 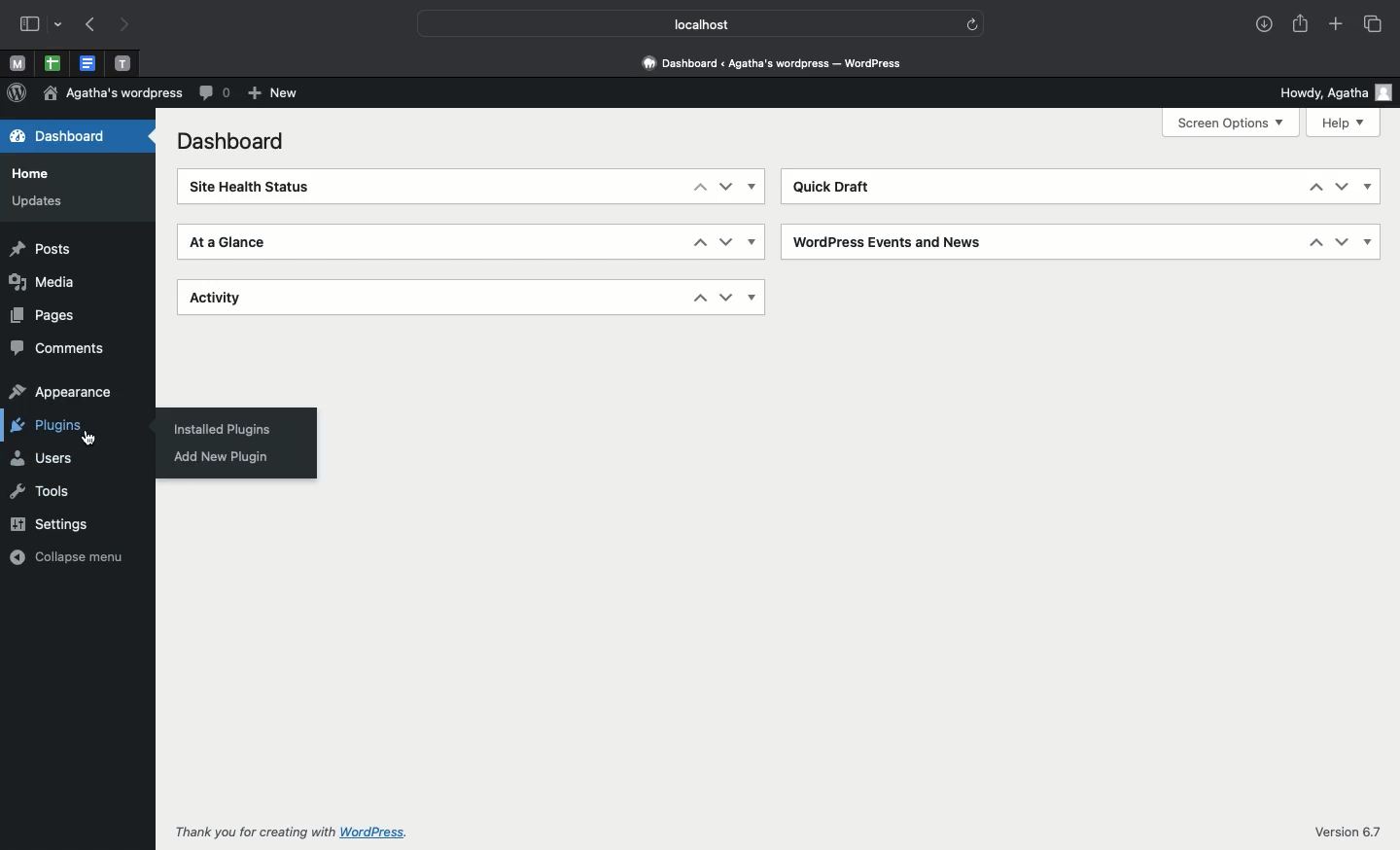 I want to click on Dashboard, so click(x=66, y=137).